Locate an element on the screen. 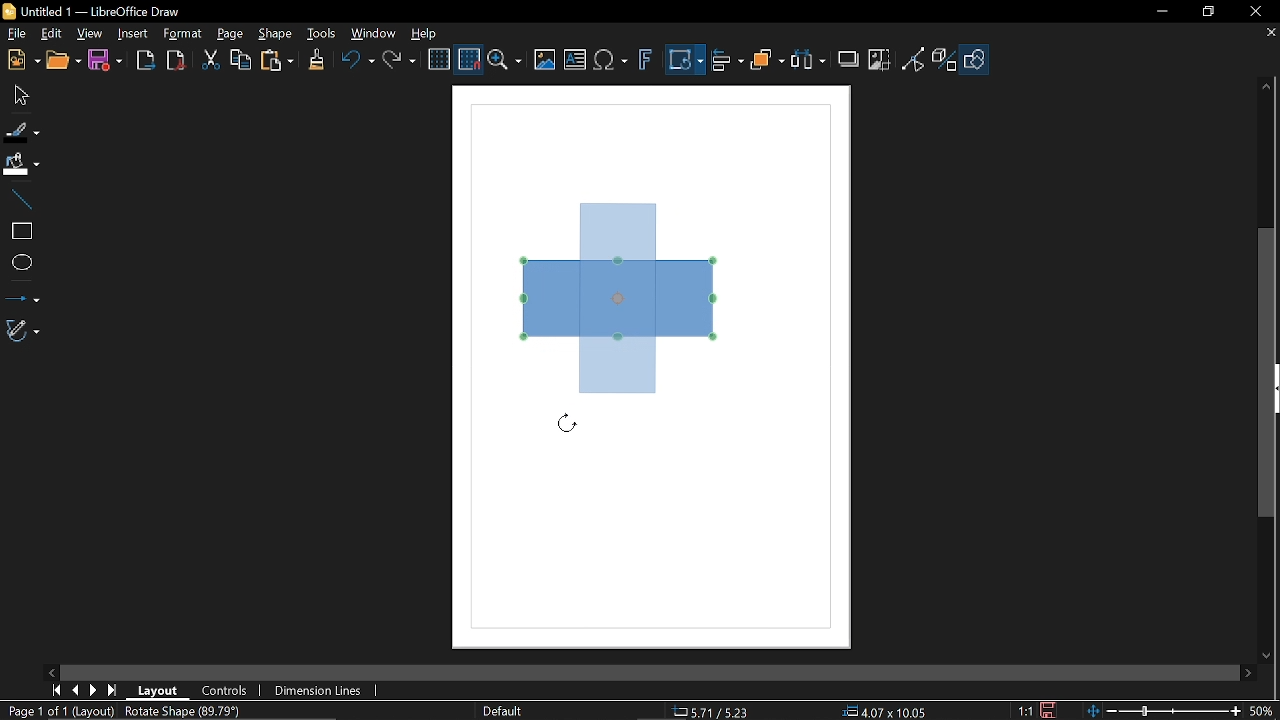 This screenshot has height=720, width=1280. Arrange is located at coordinates (767, 62).